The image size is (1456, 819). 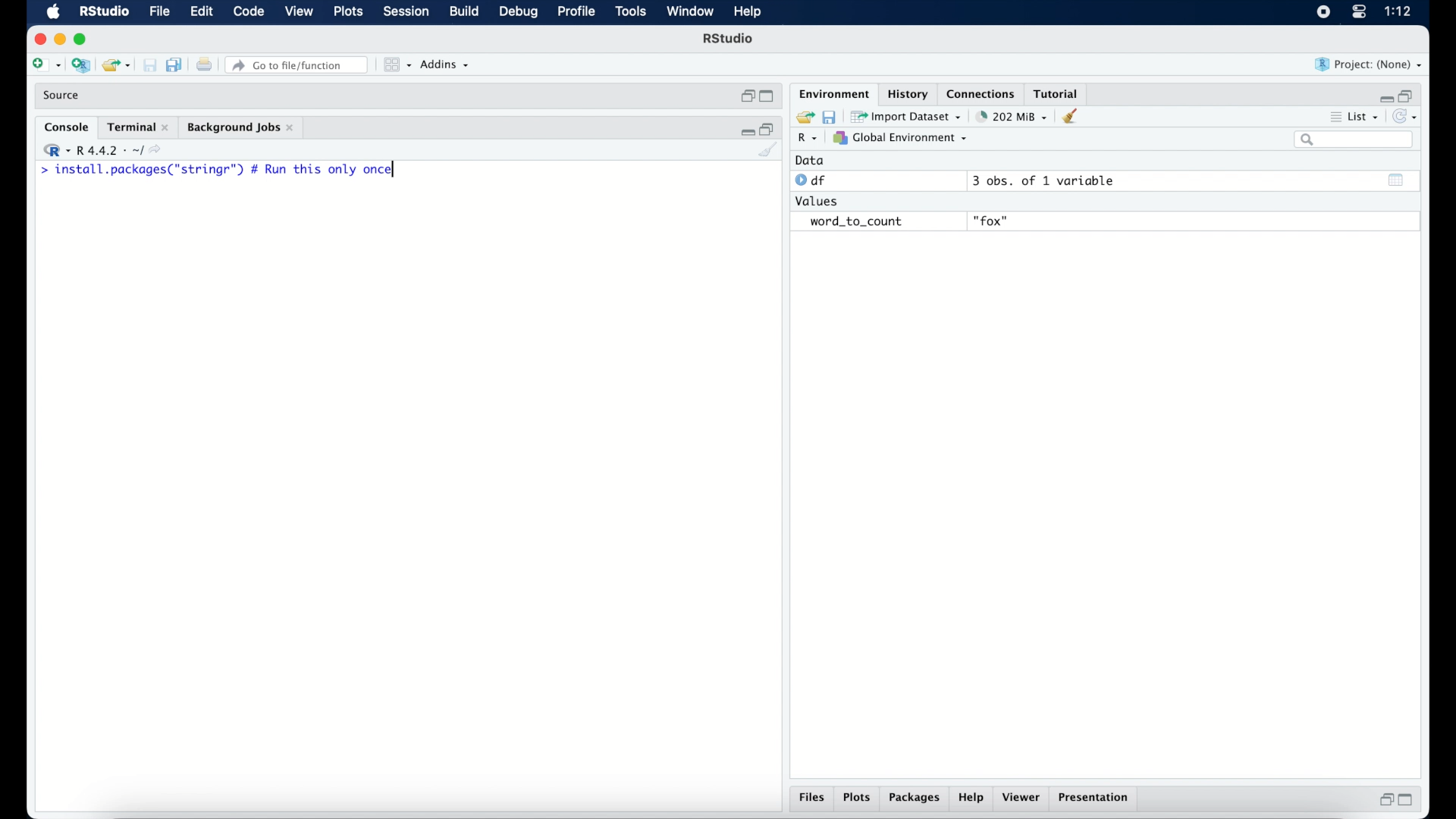 What do you see at coordinates (102, 150) in the screenshot?
I see `R 4.4.2` at bounding box center [102, 150].